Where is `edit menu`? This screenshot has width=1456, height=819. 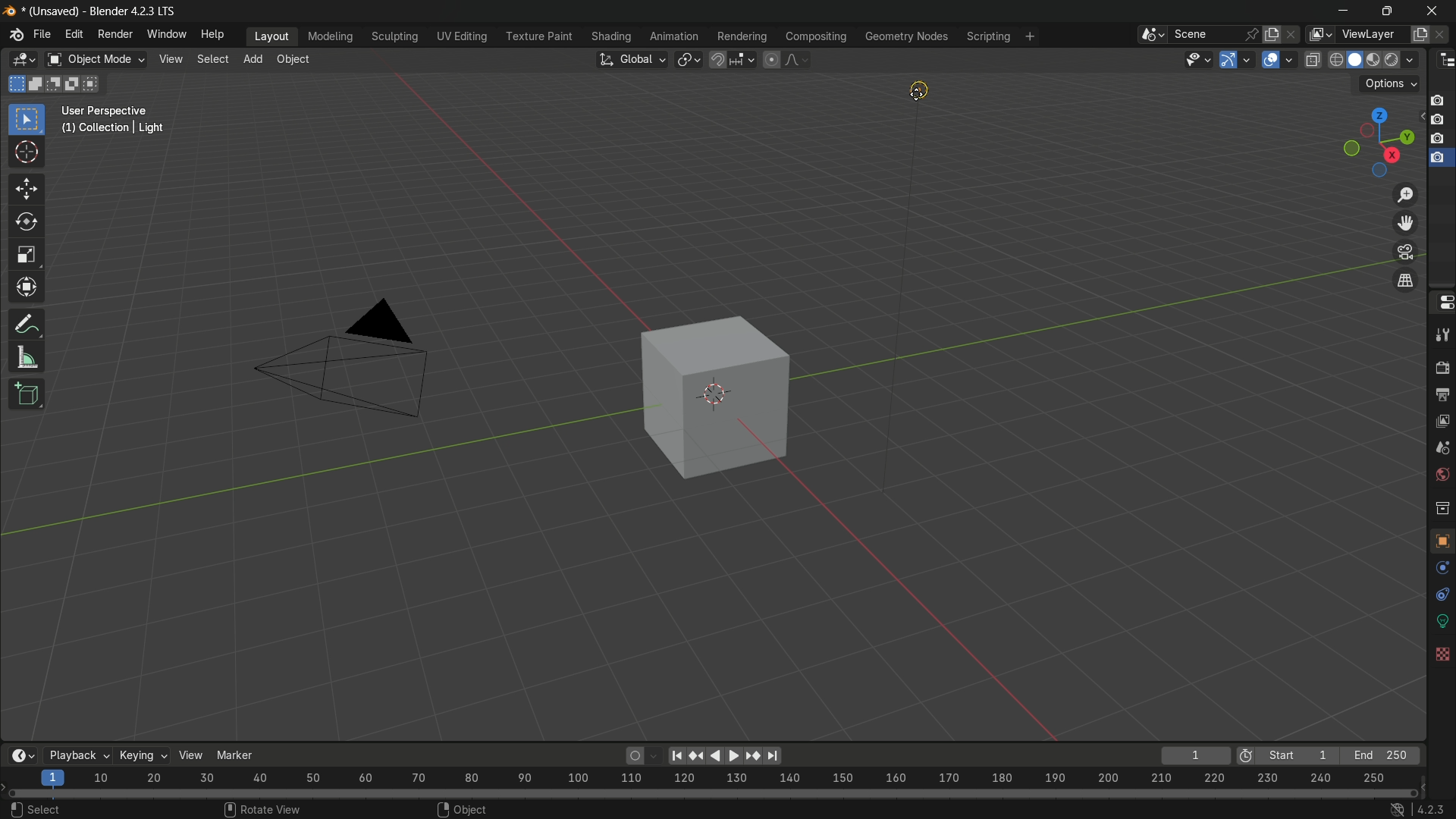 edit menu is located at coordinates (73, 35).